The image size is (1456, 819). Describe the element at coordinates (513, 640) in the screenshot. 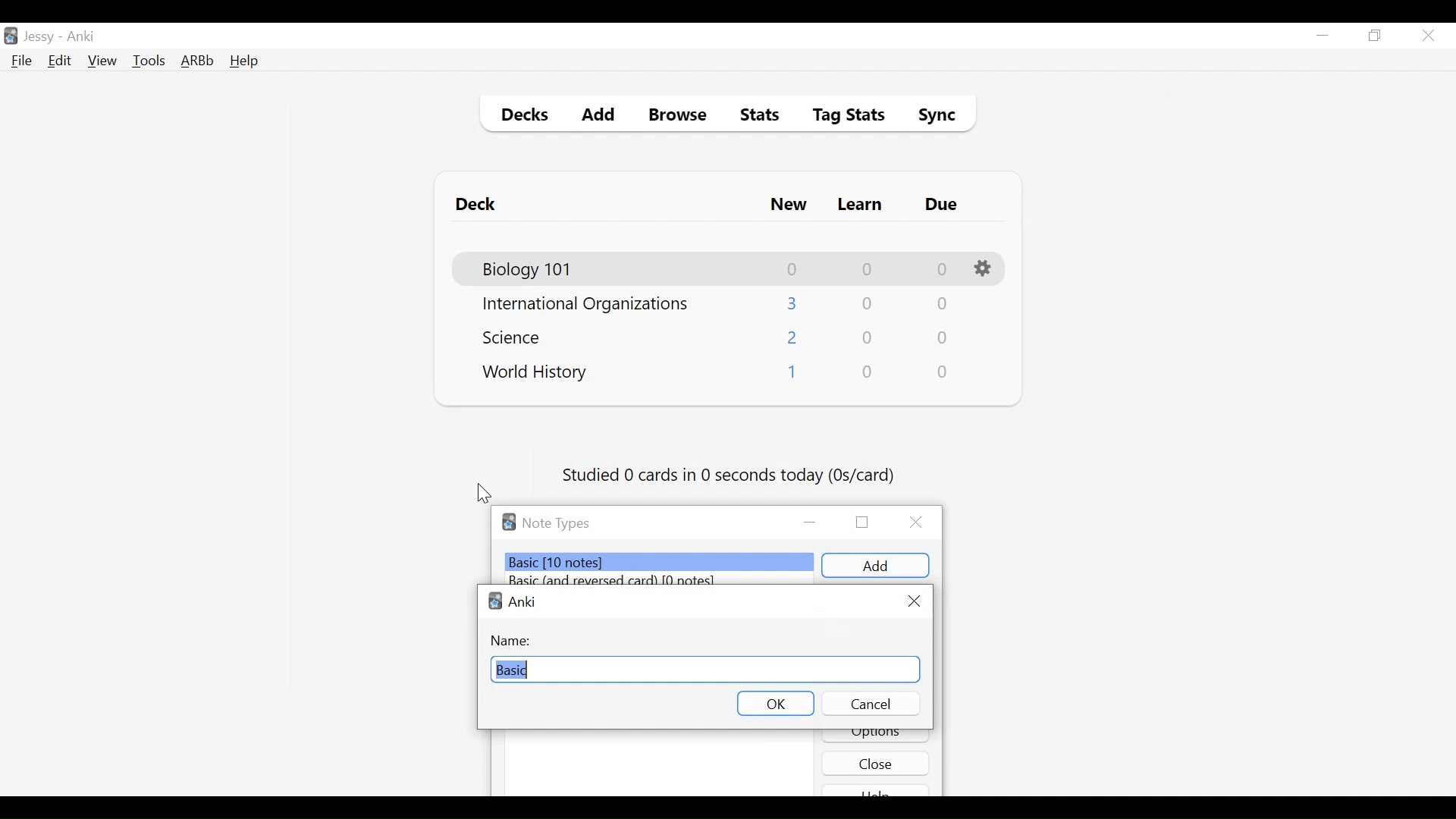

I see `Name` at that location.